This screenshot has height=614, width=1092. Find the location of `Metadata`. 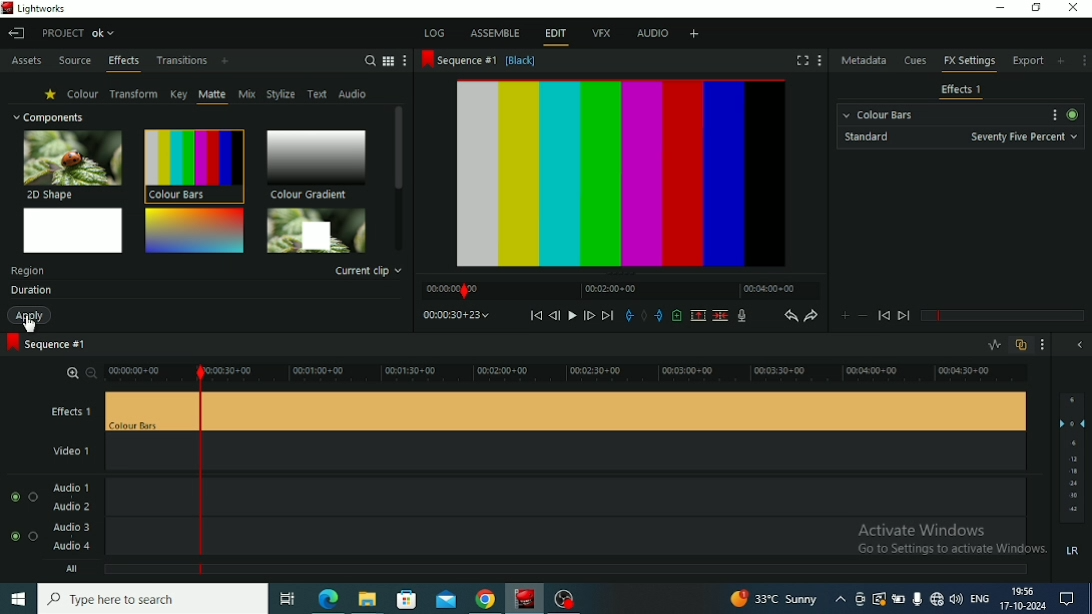

Metadata is located at coordinates (865, 60).